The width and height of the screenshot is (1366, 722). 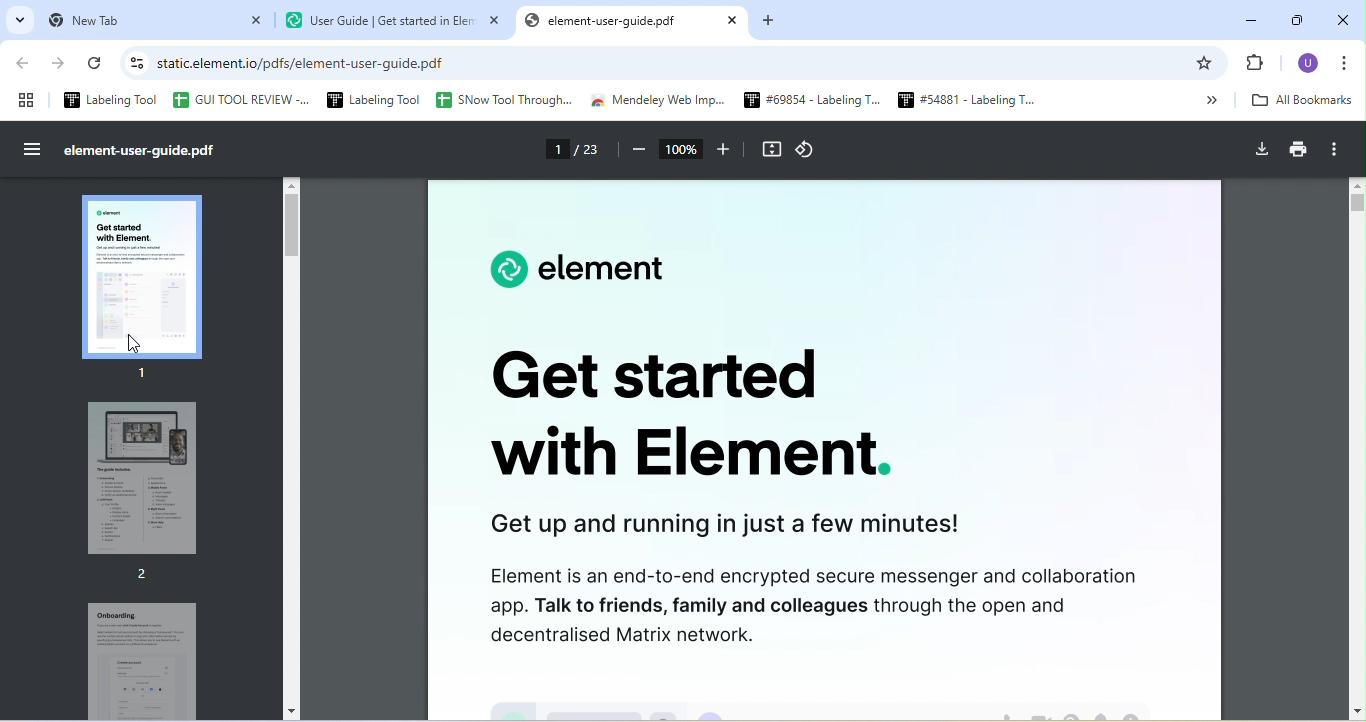 What do you see at coordinates (1357, 446) in the screenshot?
I see `vertical scroll bar` at bounding box center [1357, 446].